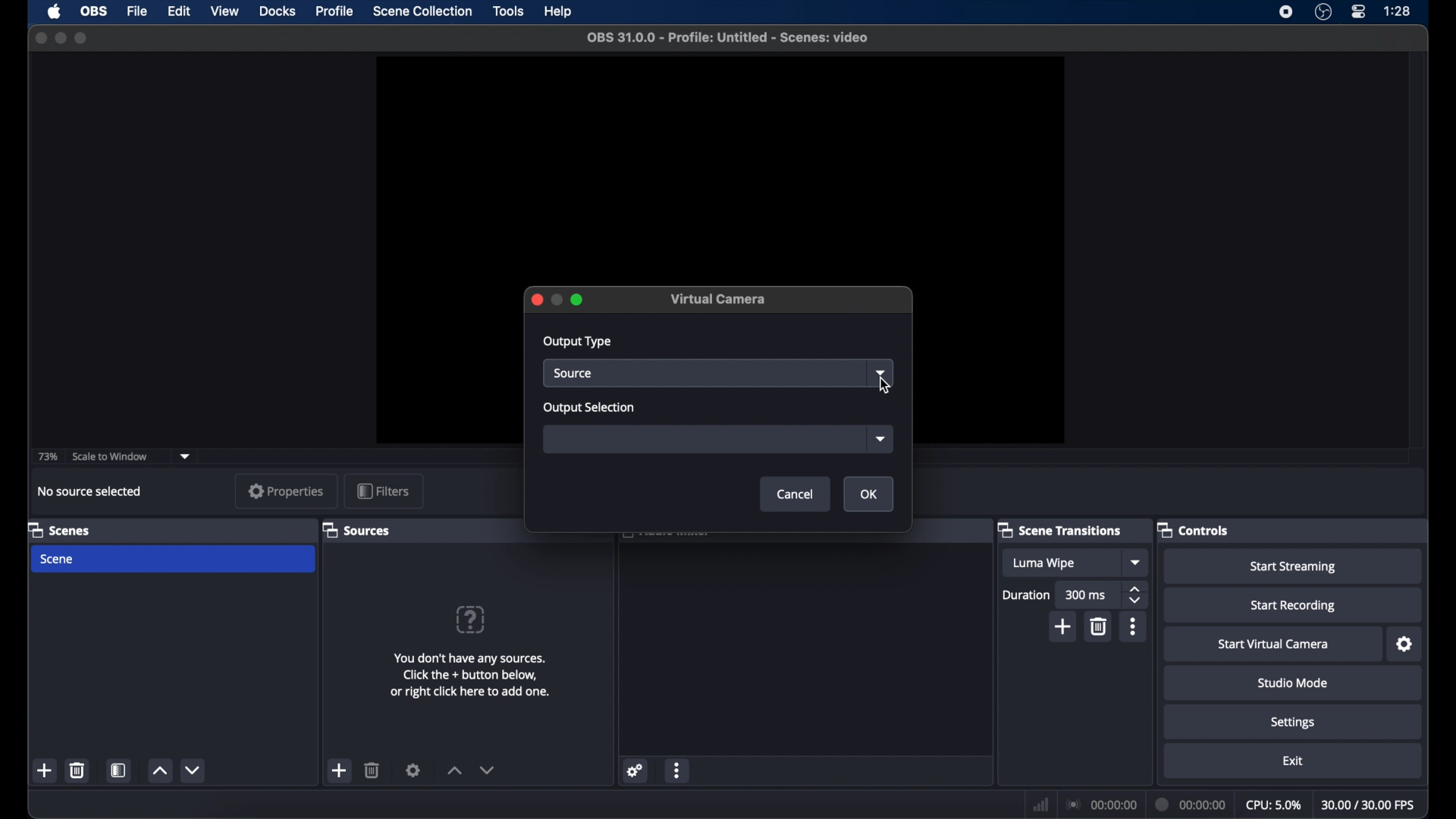 Image resolution: width=1456 pixels, height=819 pixels. I want to click on time, so click(1397, 11).